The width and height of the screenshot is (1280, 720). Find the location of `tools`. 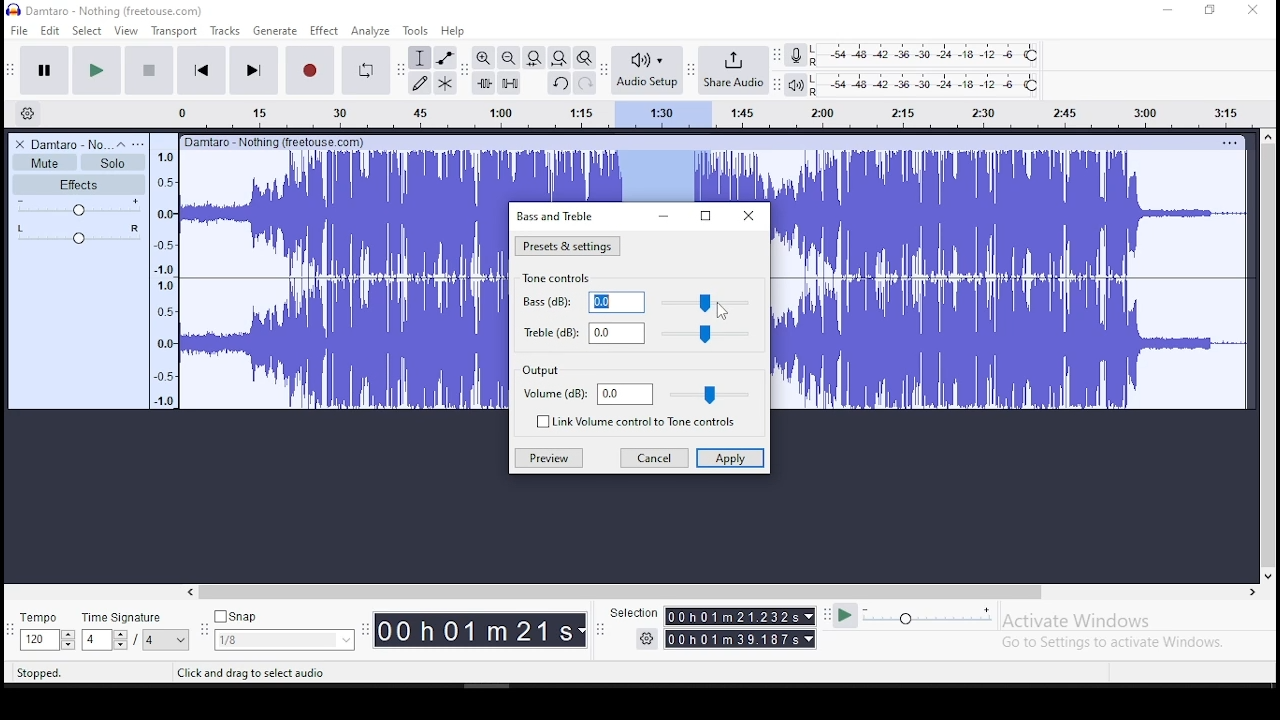

tools is located at coordinates (416, 30).